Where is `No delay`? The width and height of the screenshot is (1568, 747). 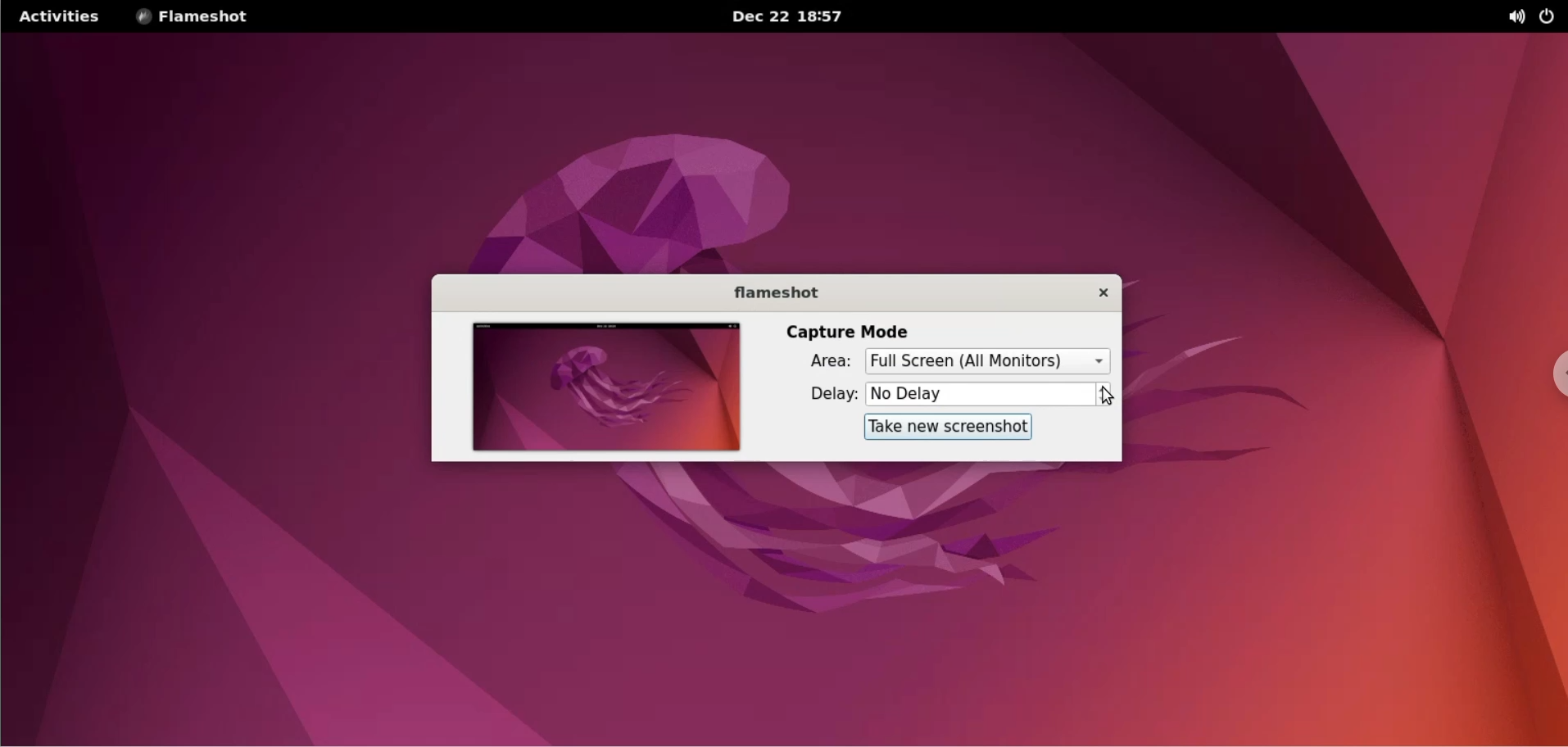 No delay is located at coordinates (979, 393).